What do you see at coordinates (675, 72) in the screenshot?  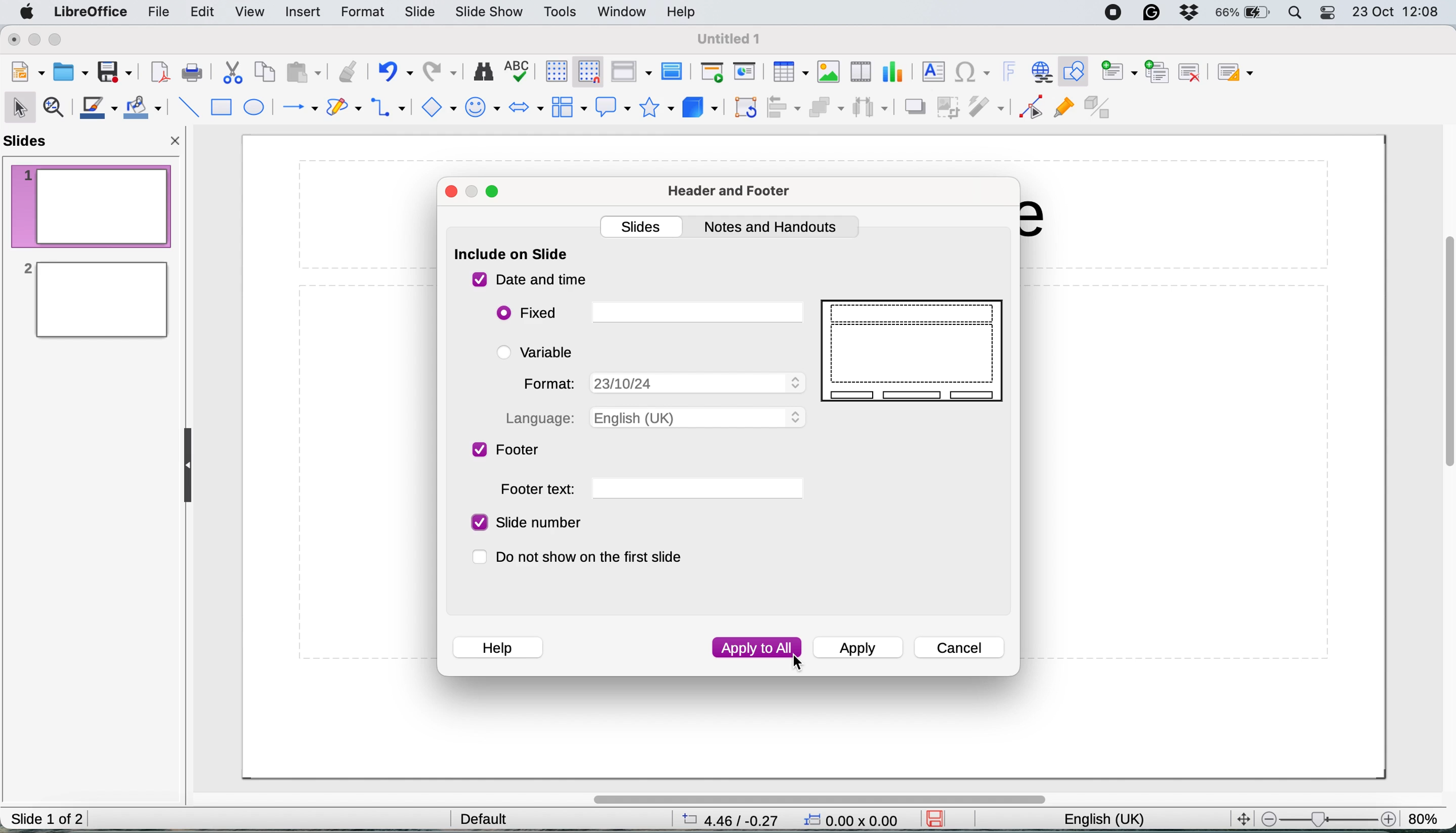 I see `master slide` at bounding box center [675, 72].